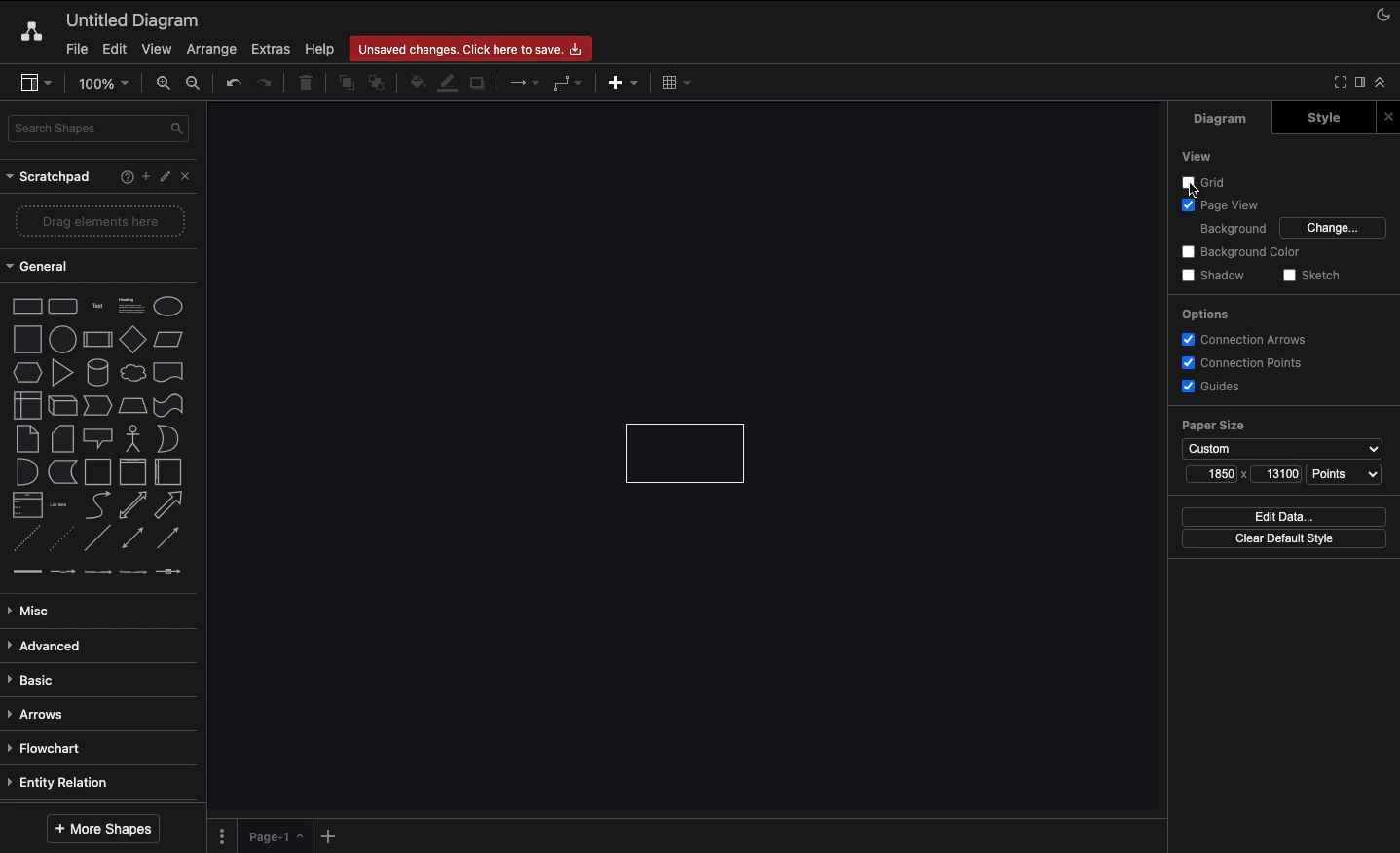 The image size is (1400, 853). I want to click on File, so click(76, 49).